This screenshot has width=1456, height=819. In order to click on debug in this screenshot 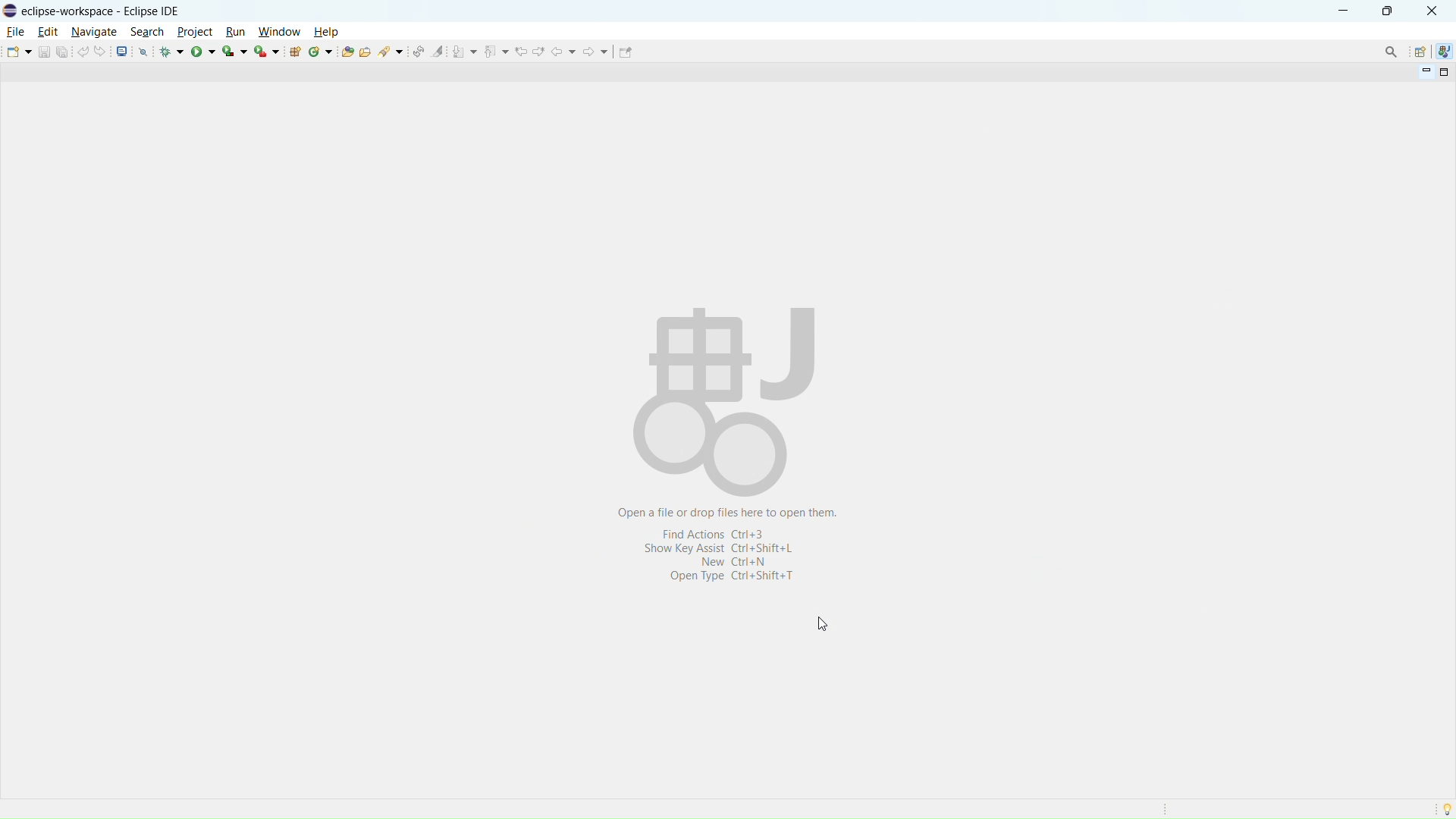, I will do `click(172, 52)`.